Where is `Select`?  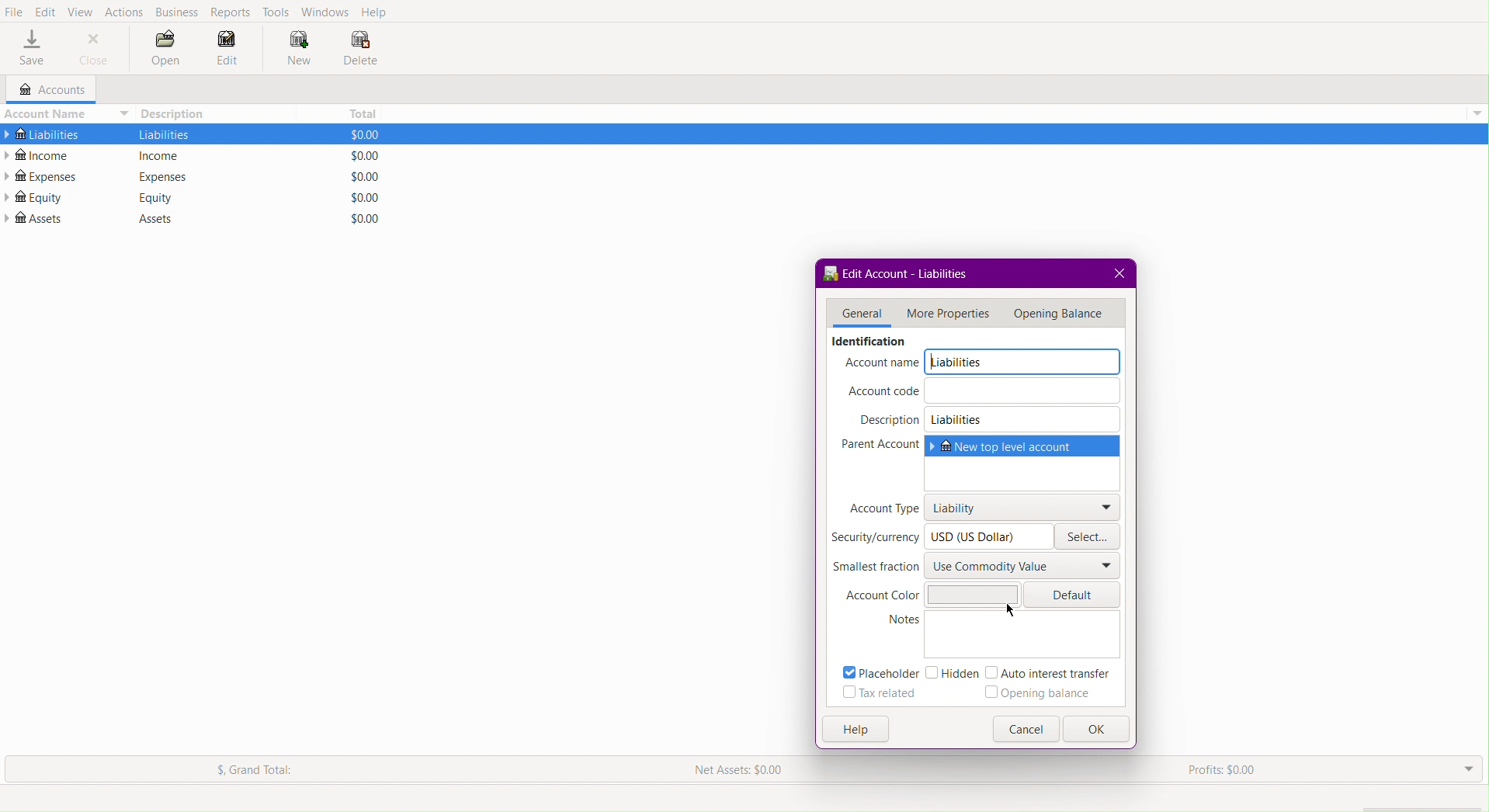 Select is located at coordinates (1088, 538).